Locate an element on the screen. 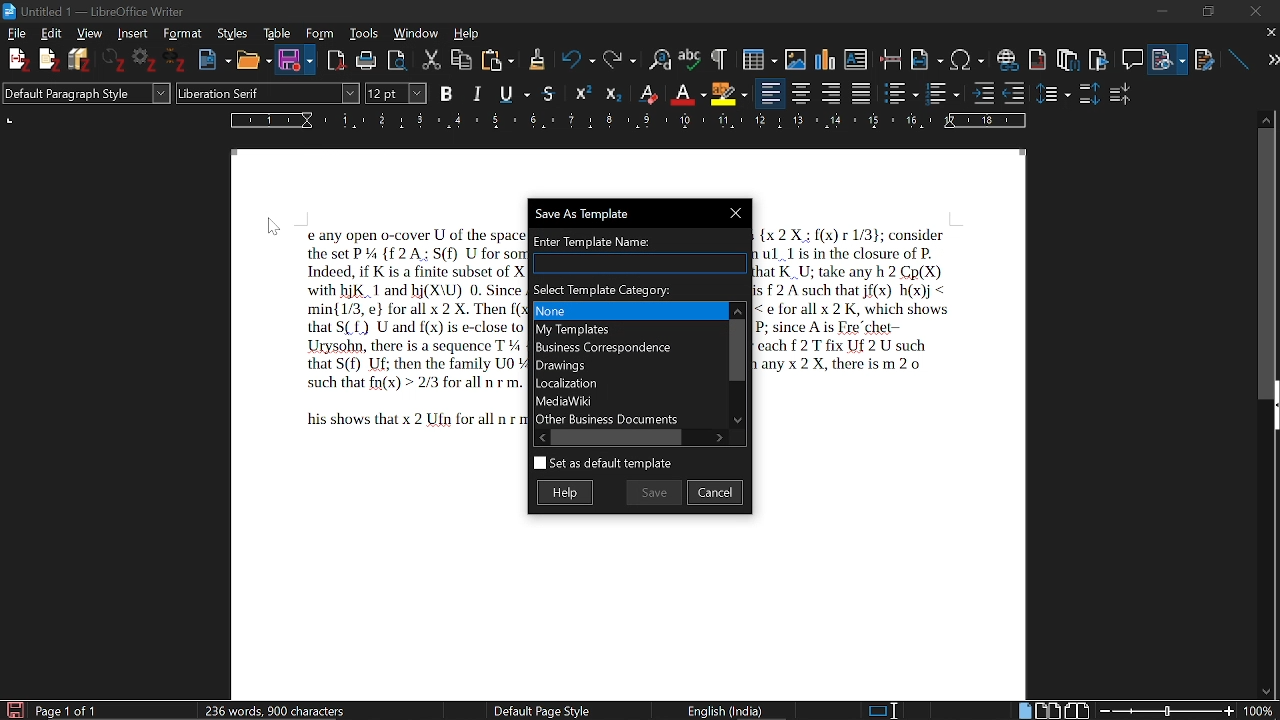 This screenshot has width=1280, height=720. B is located at coordinates (447, 92).